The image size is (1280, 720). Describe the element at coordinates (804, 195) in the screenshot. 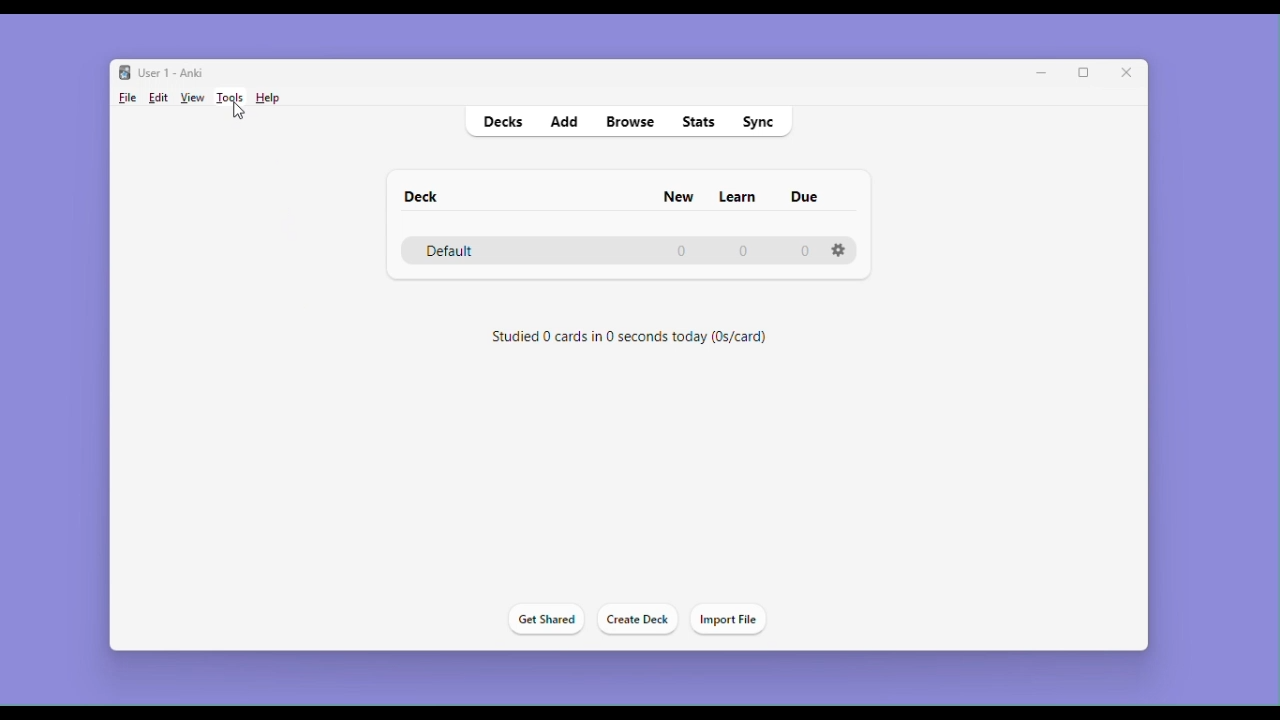

I see `due` at that location.